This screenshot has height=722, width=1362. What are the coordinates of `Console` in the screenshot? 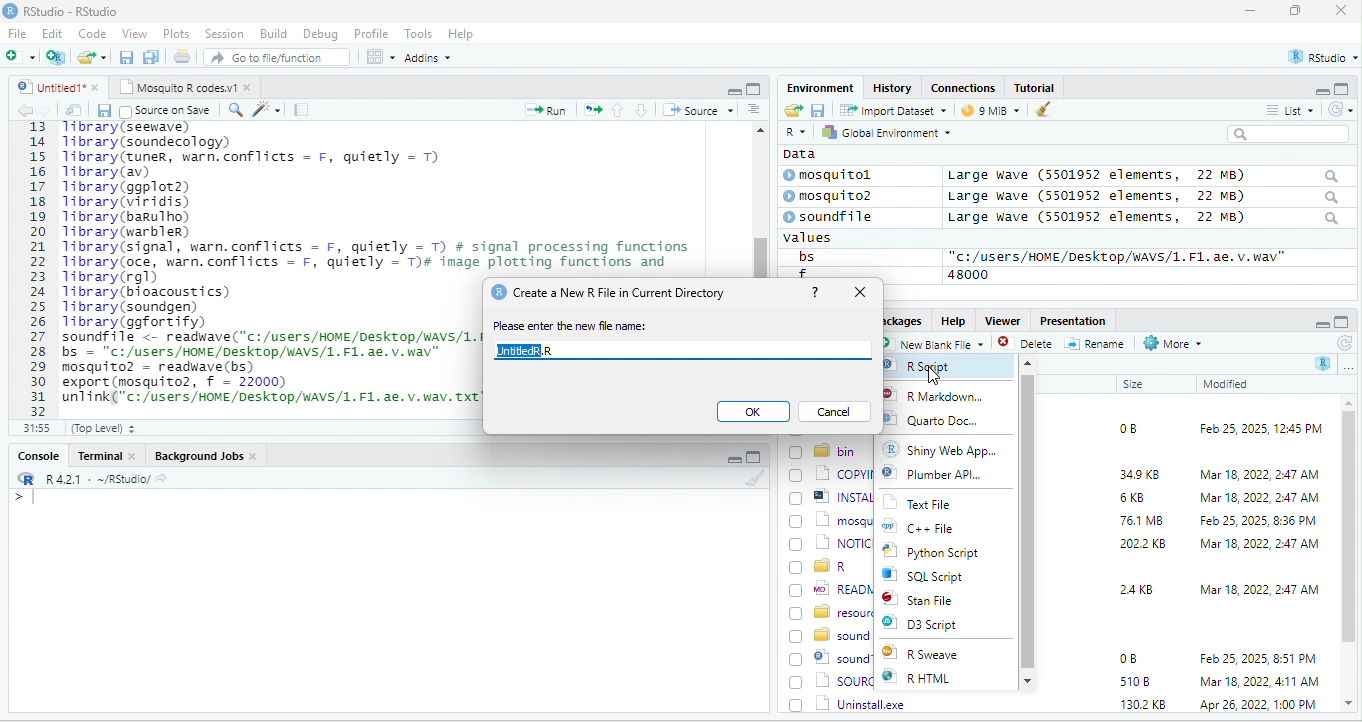 It's located at (37, 454).